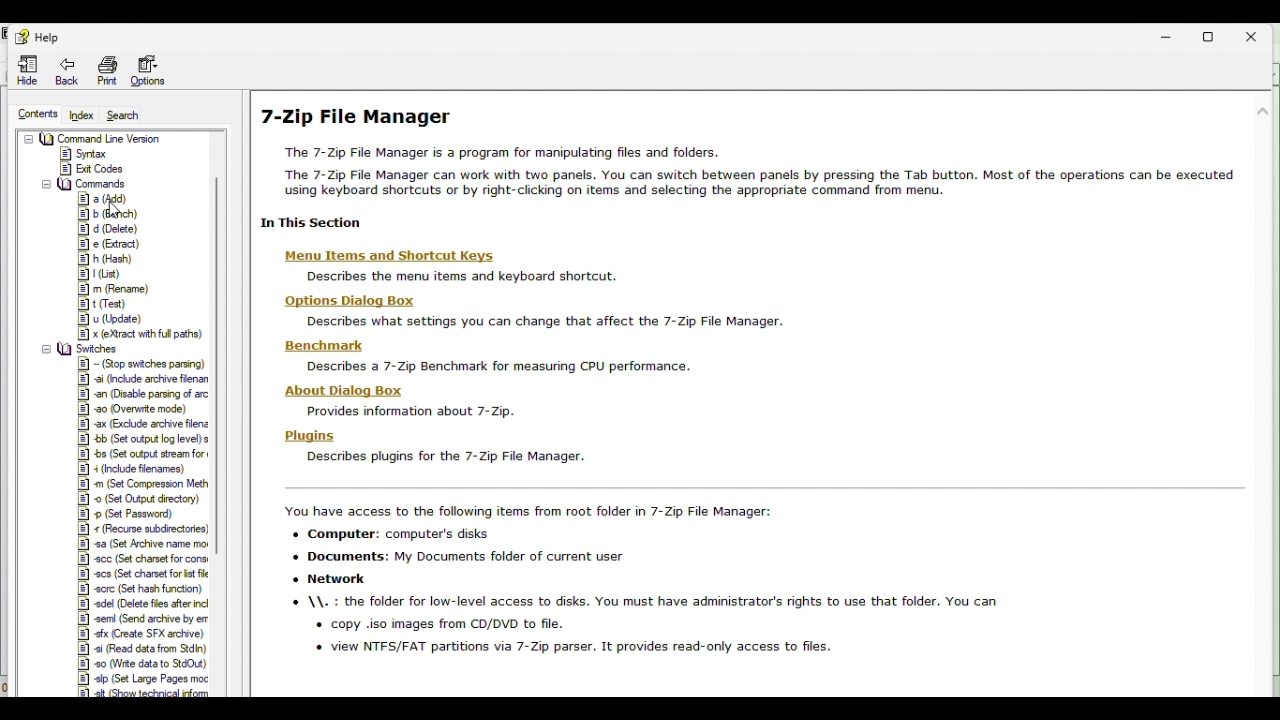  Describe the element at coordinates (83, 185) in the screenshot. I see `commands` at that location.